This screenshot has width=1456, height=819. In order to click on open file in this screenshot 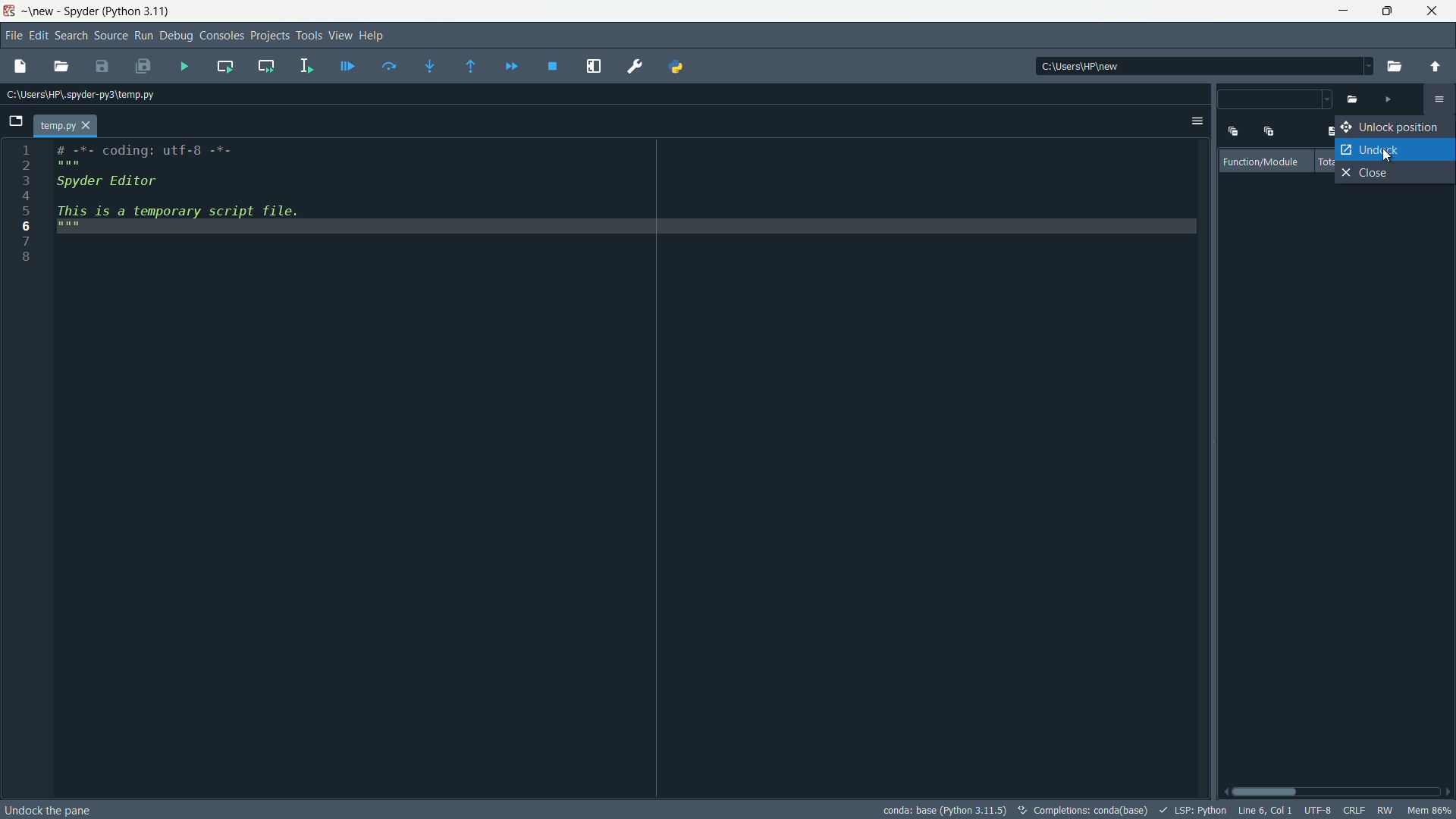, I will do `click(60, 67)`.